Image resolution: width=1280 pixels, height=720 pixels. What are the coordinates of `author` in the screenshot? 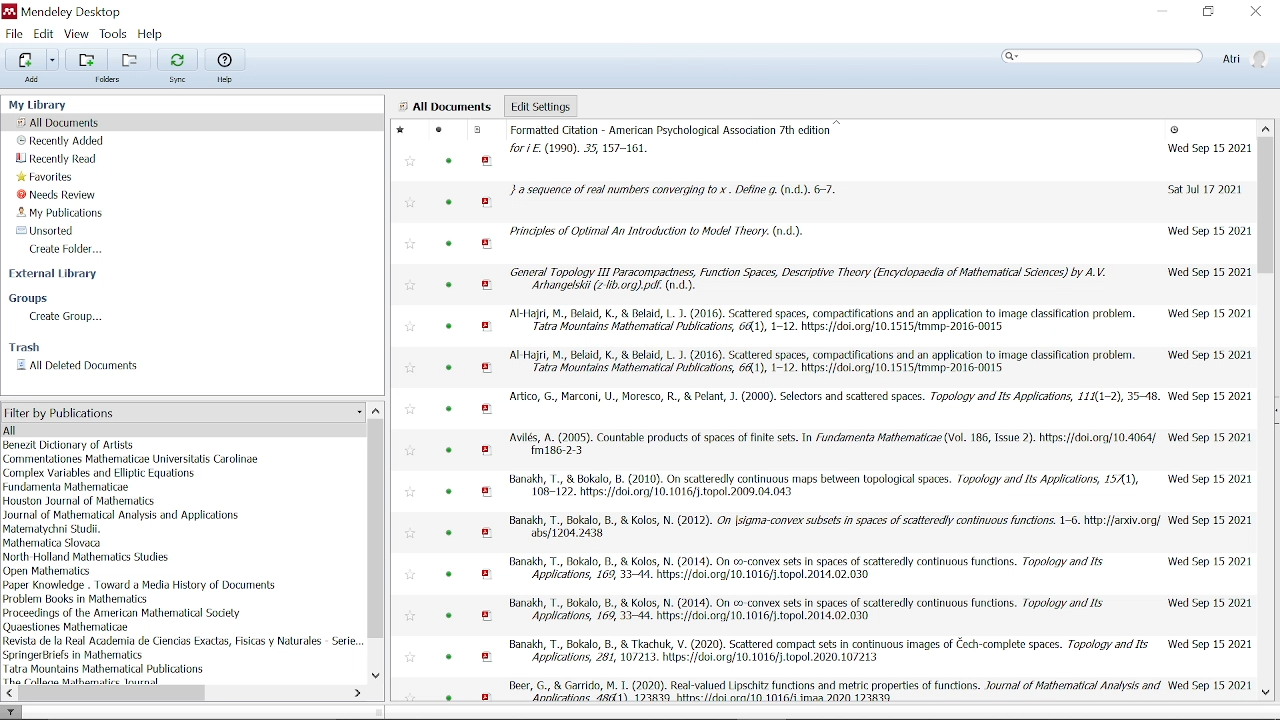 It's located at (134, 459).